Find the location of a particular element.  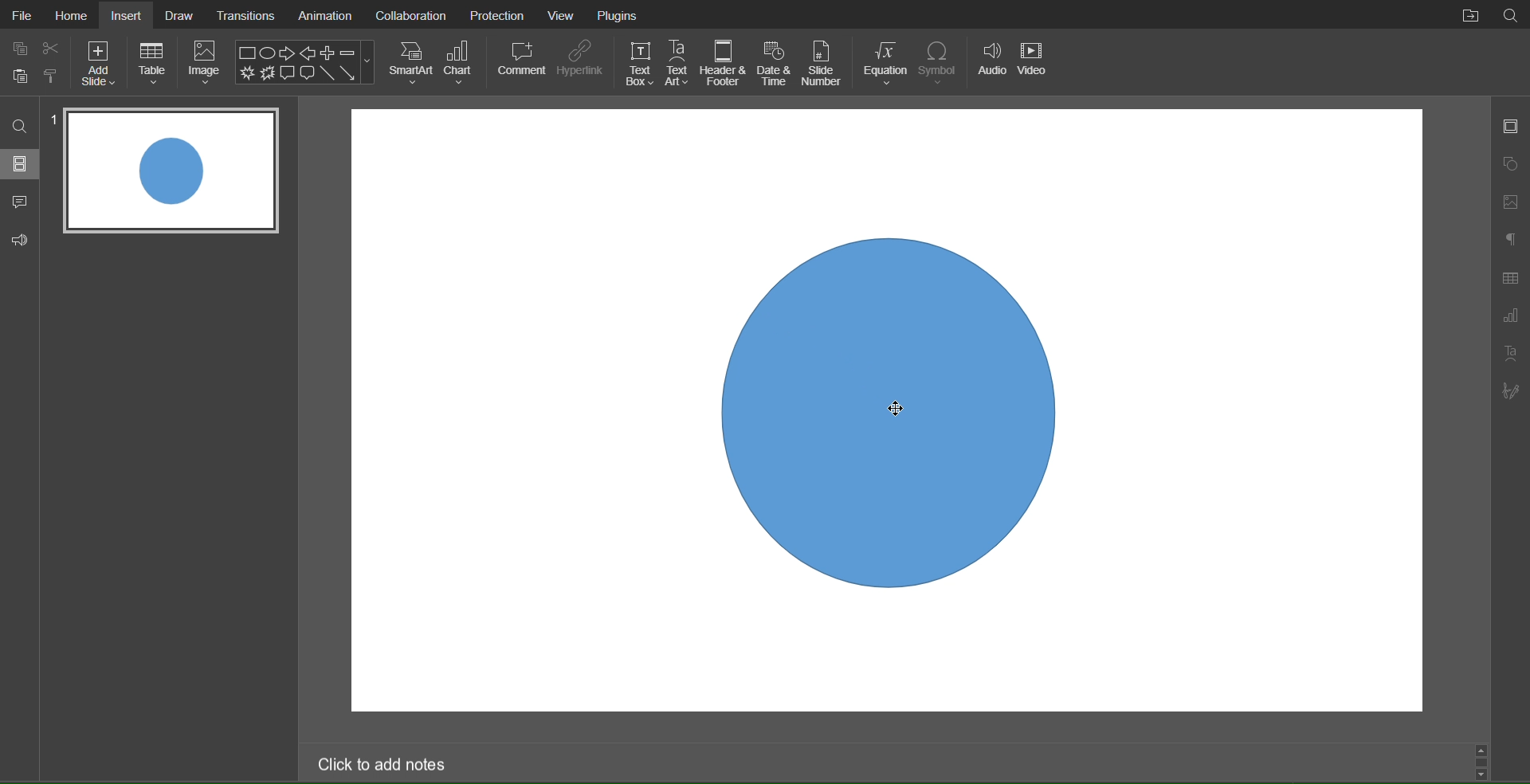

Date and Time is located at coordinates (775, 62).